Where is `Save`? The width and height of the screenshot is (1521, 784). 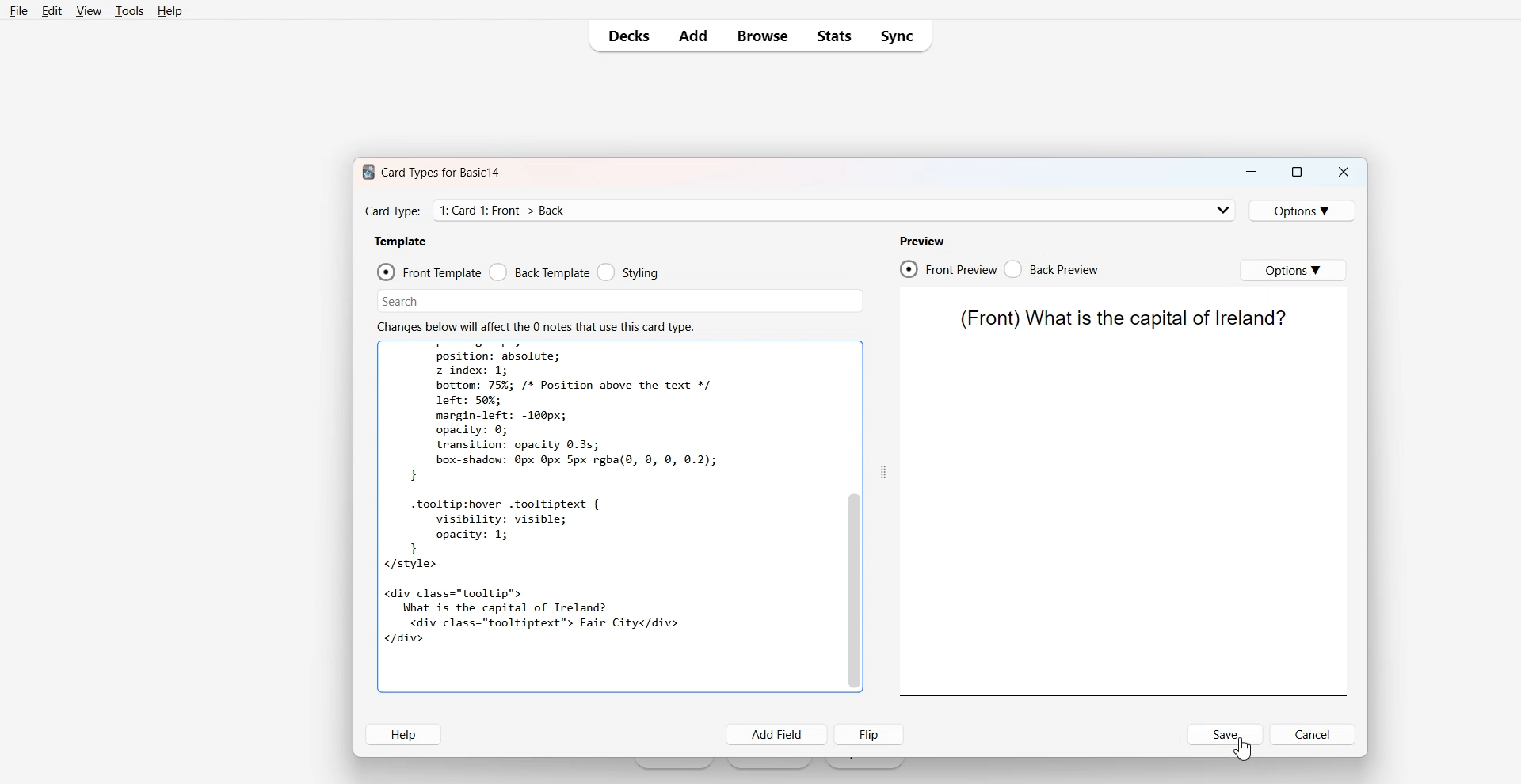 Save is located at coordinates (1226, 735).